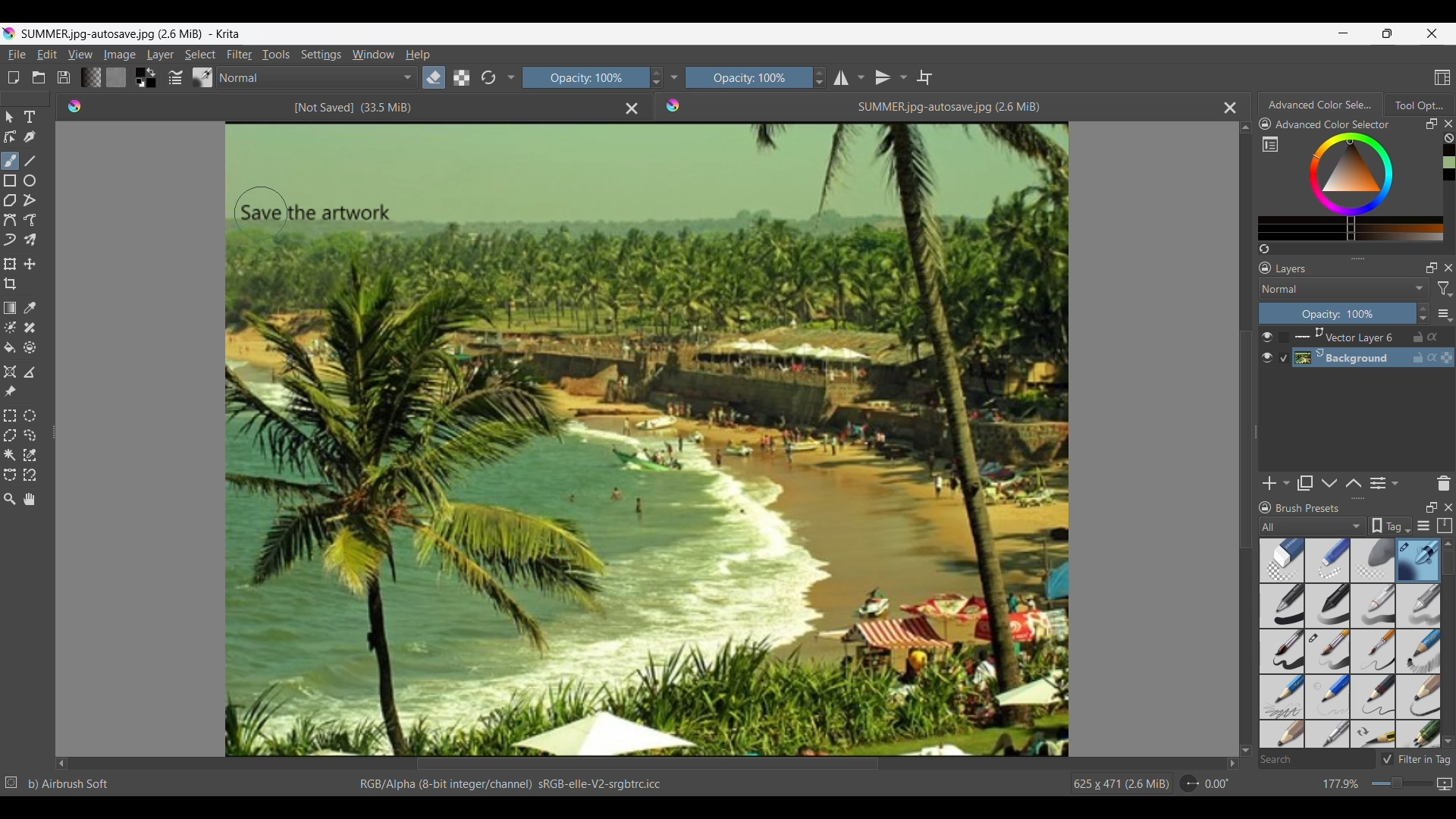  I want to click on Calligraphy, so click(30, 137).